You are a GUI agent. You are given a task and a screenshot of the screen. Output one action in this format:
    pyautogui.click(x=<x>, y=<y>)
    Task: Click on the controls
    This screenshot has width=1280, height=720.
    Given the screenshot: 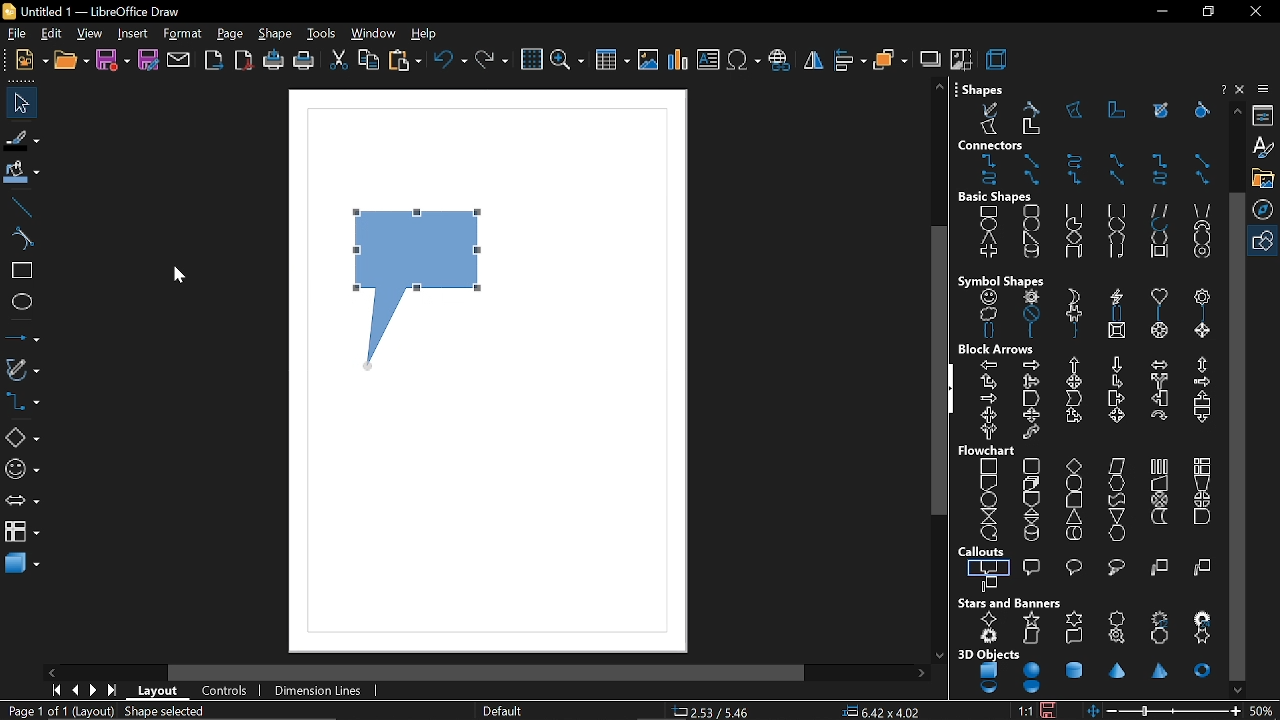 What is the action you would take?
    pyautogui.click(x=223, y=692)
    